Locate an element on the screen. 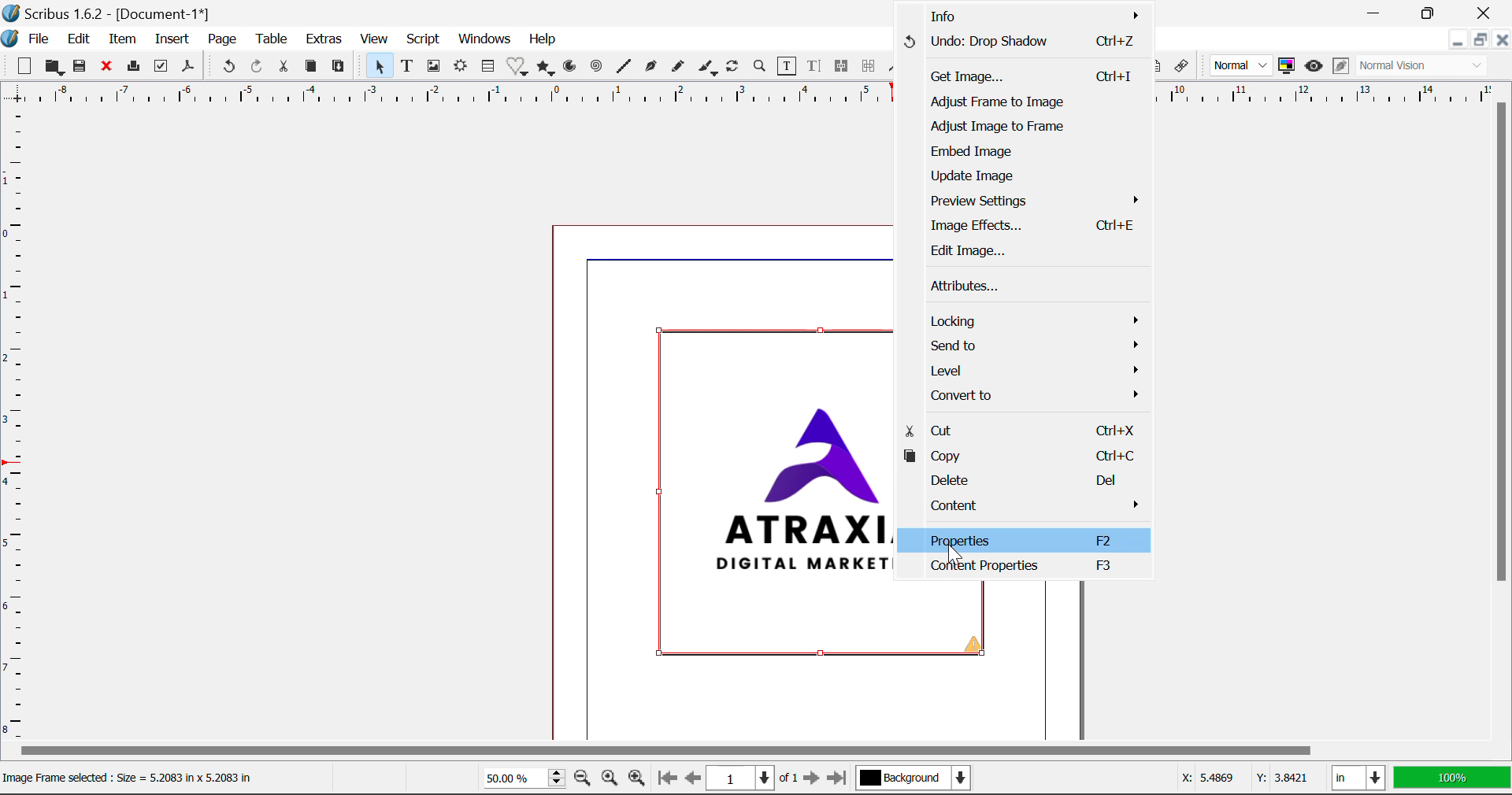 Image resolution: width=1512 pixels, height=795 pixels. Close is located at coordinates (1502, 40).